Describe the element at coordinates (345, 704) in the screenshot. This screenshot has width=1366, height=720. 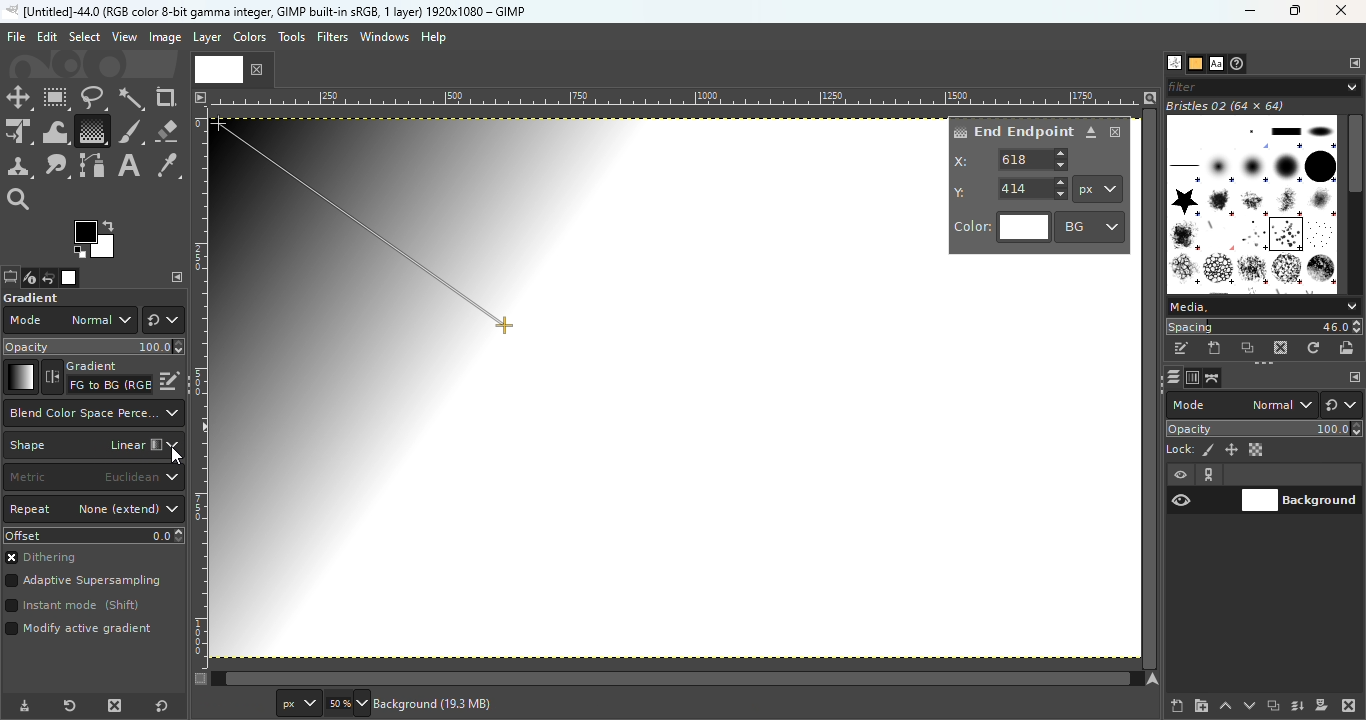
I see `Enter image size` at that location.